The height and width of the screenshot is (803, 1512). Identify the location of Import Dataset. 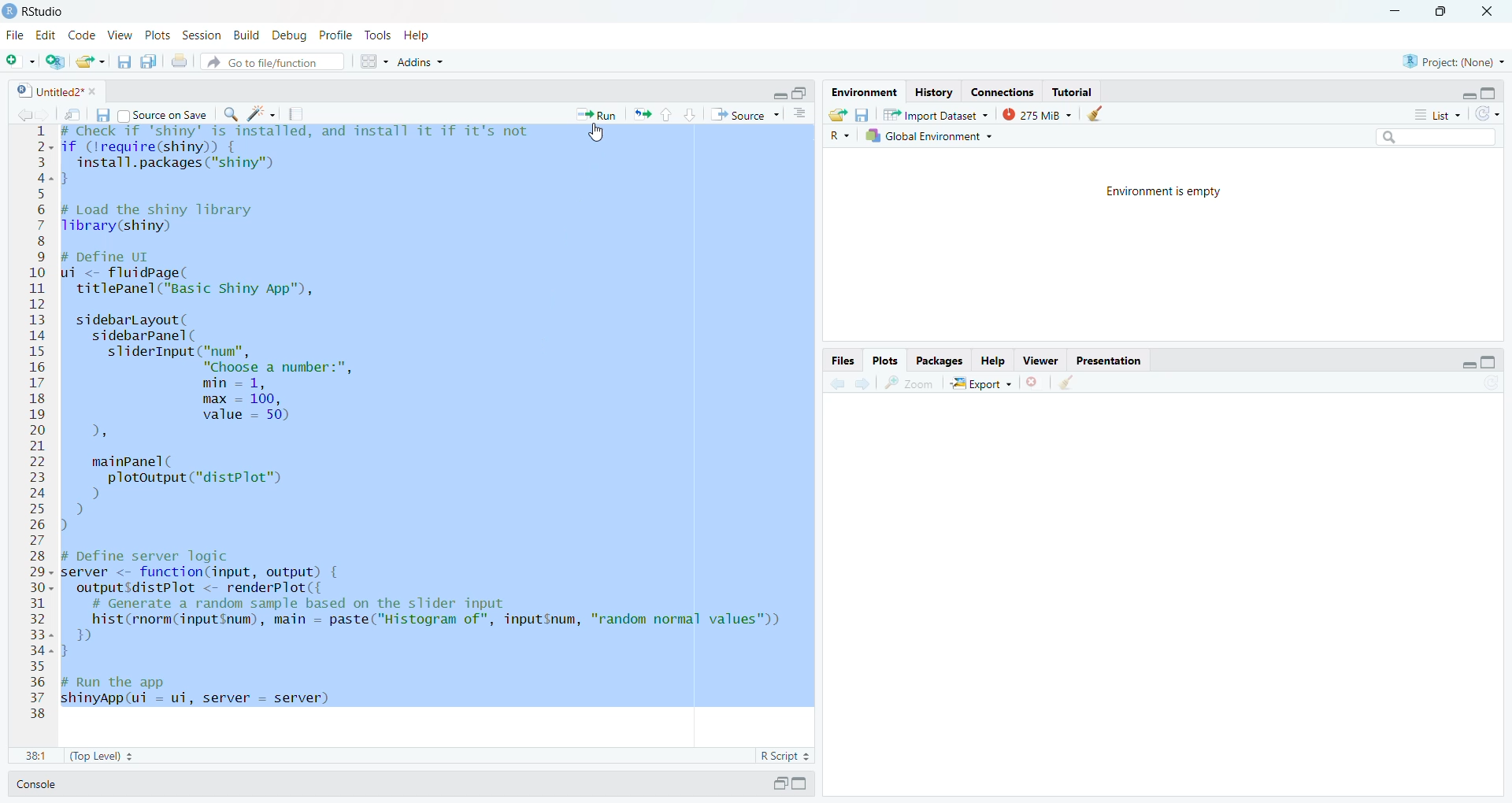
(937, 115).